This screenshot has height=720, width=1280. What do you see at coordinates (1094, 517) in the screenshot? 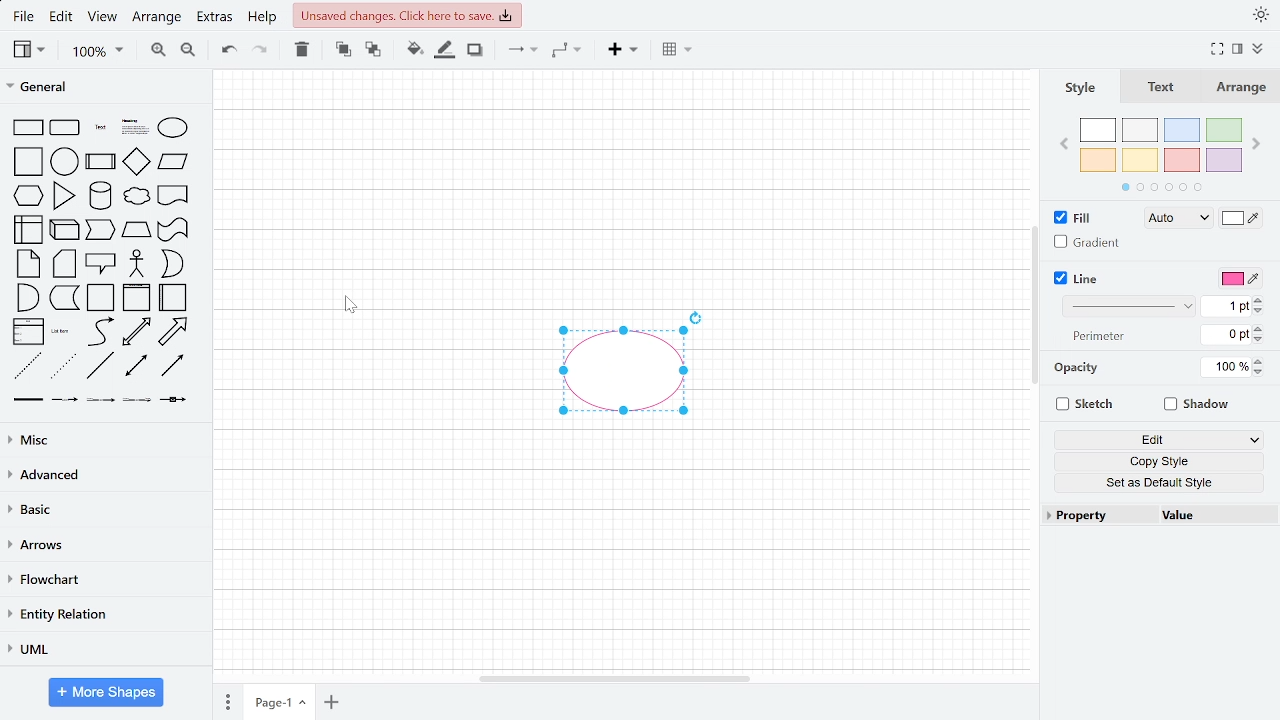
I see `property` at bounding box center [1094, 517].